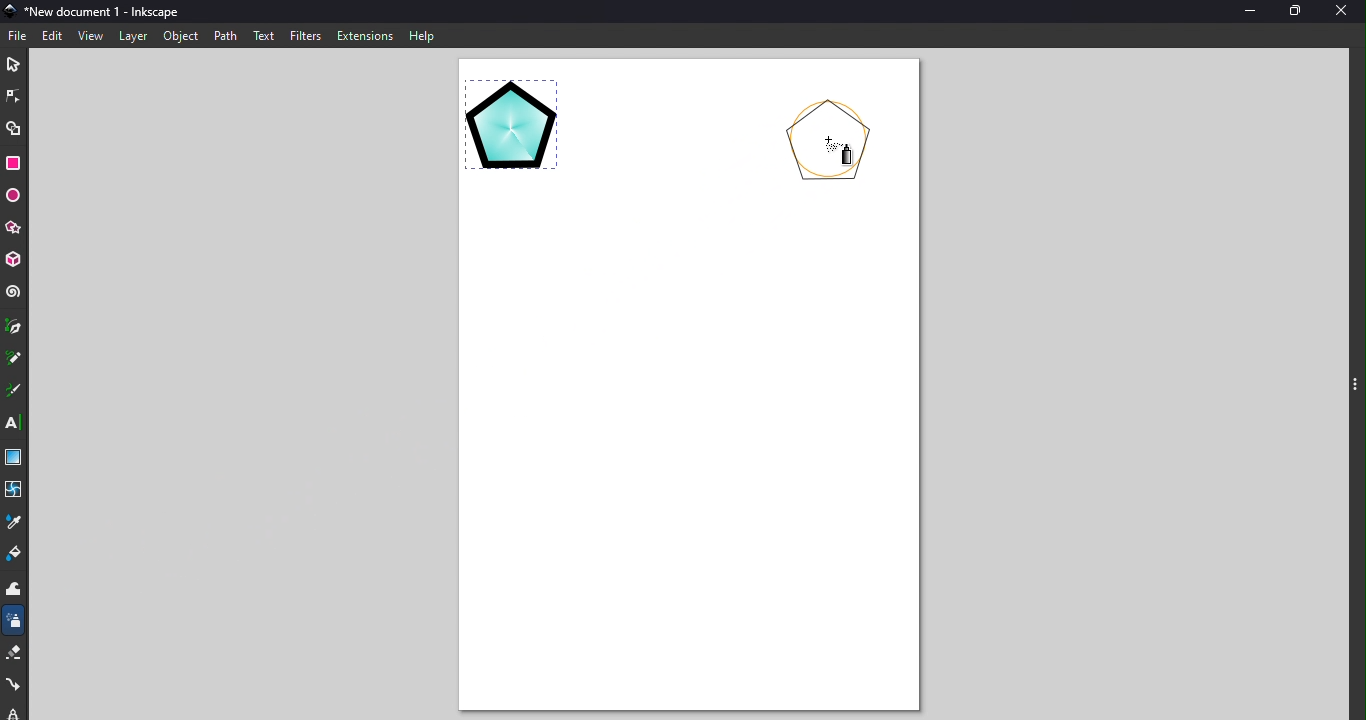 Image resolution: width=1366 pixels, height=720 pixels. What do you see at coordinates (363, 35) in the screenshot?
I see `Extensions` at bounding box center [363, 35].